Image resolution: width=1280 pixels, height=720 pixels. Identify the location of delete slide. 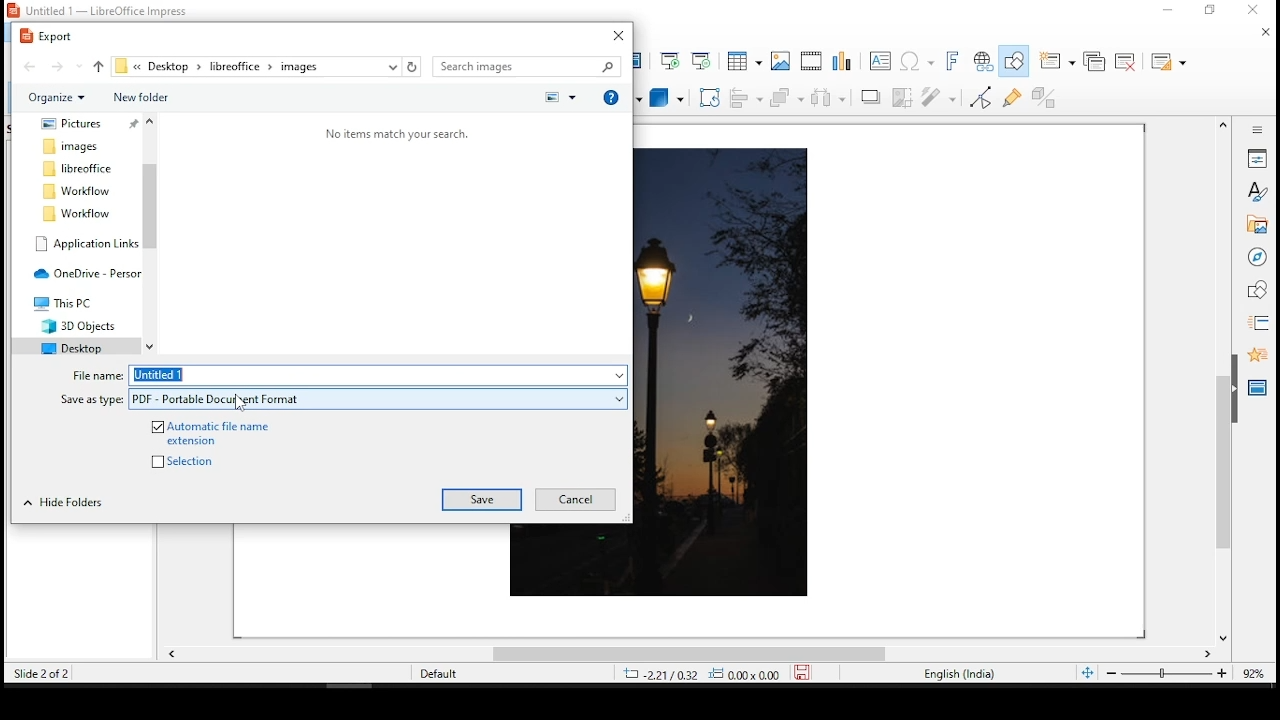
(1126, 59).